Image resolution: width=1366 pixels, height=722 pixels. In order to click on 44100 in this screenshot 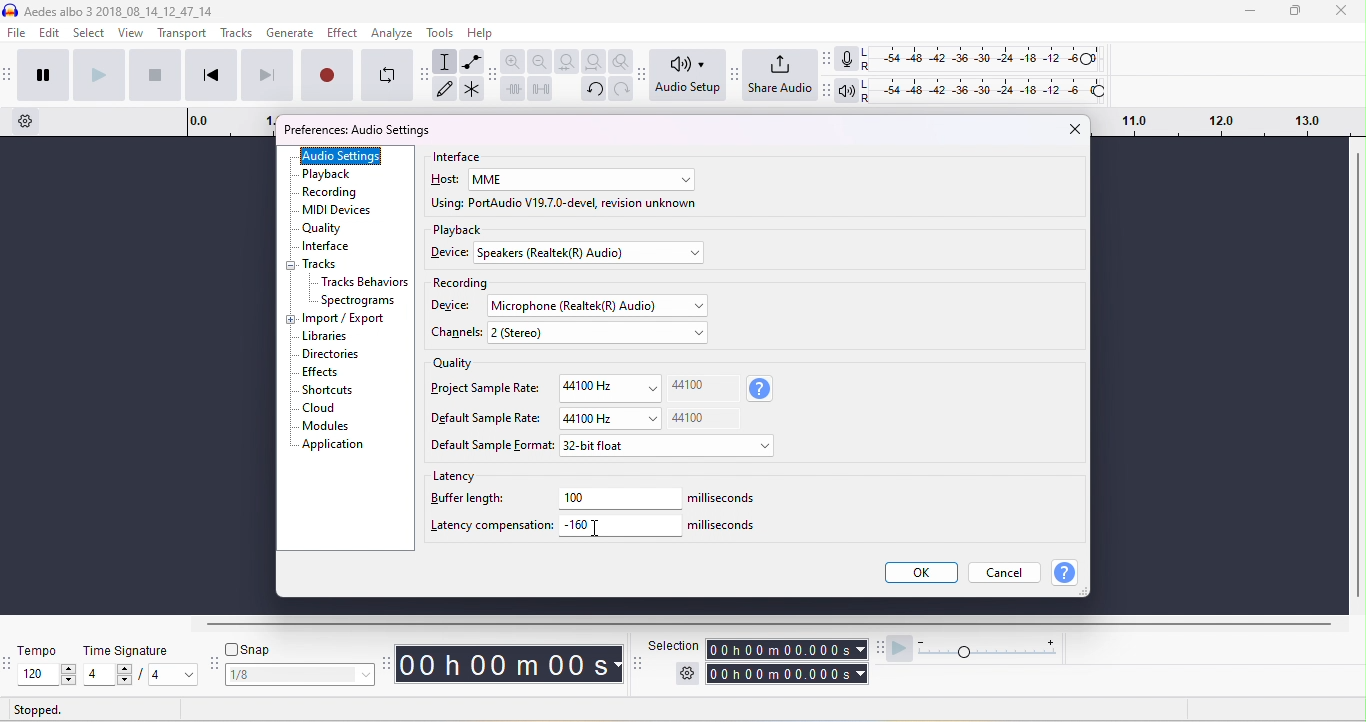, I will do `click(689, 384)`.